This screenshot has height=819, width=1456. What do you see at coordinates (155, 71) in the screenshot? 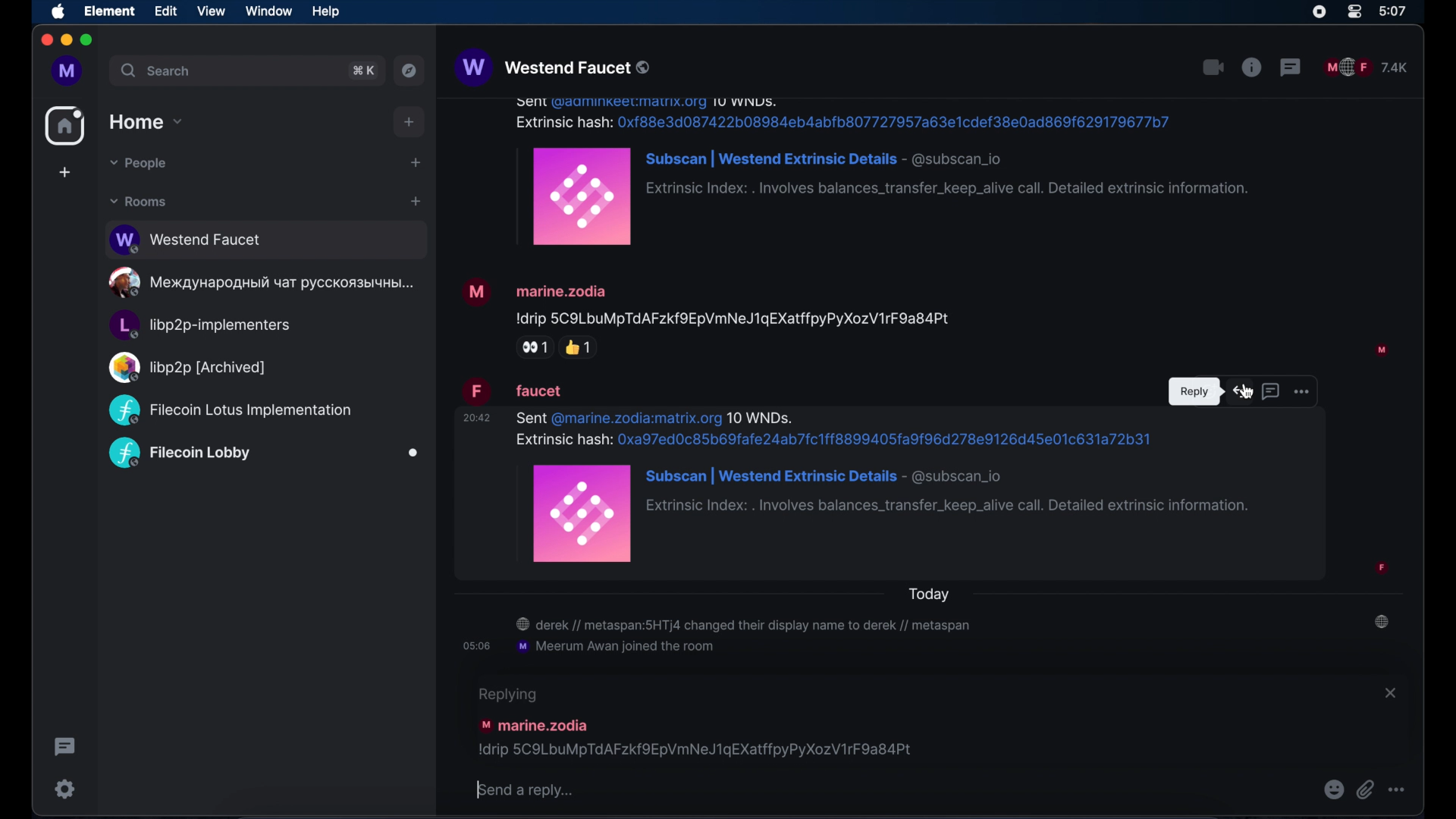
I see `search` at bounding box center [155, 71].